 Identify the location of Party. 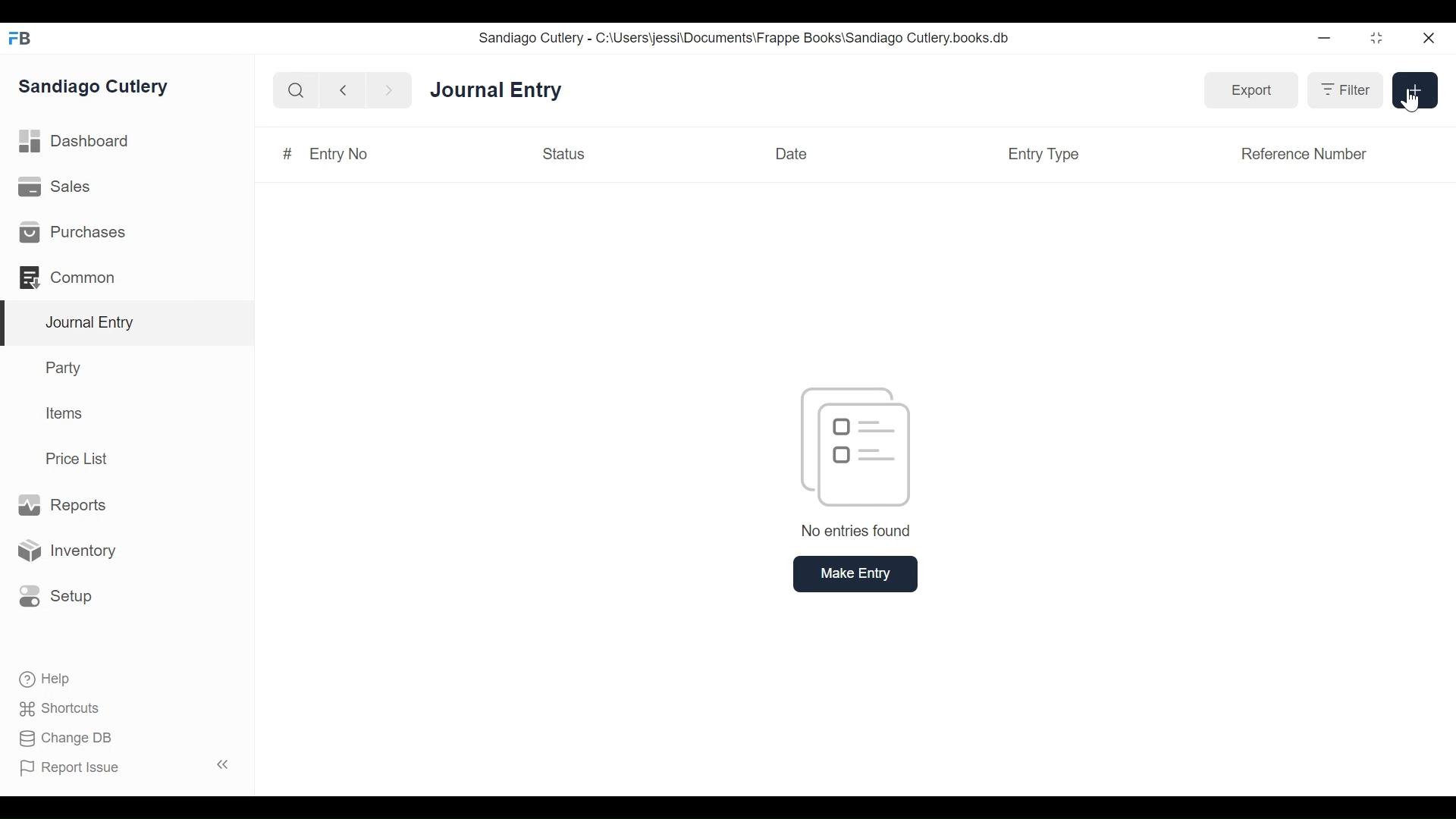
(67, 367).